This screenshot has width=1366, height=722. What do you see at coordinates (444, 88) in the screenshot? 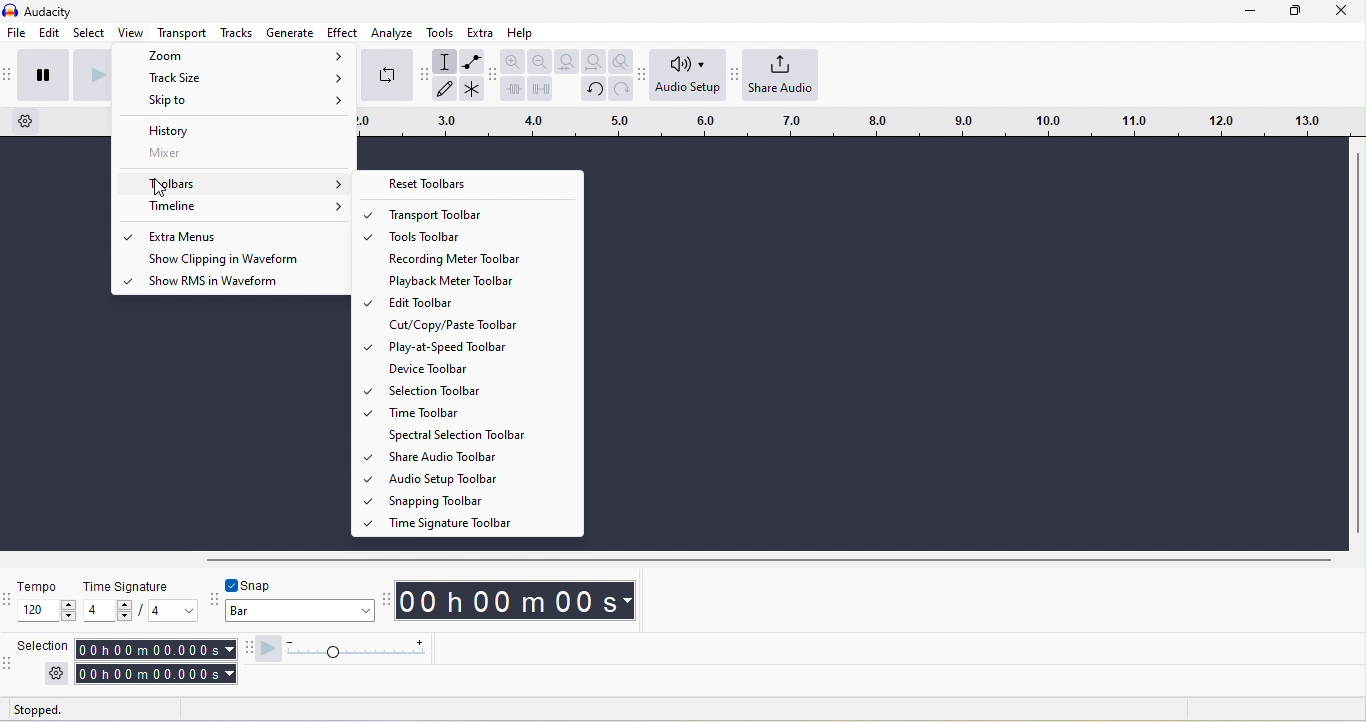
I see `draw tool` at bounding box center [444, 88].